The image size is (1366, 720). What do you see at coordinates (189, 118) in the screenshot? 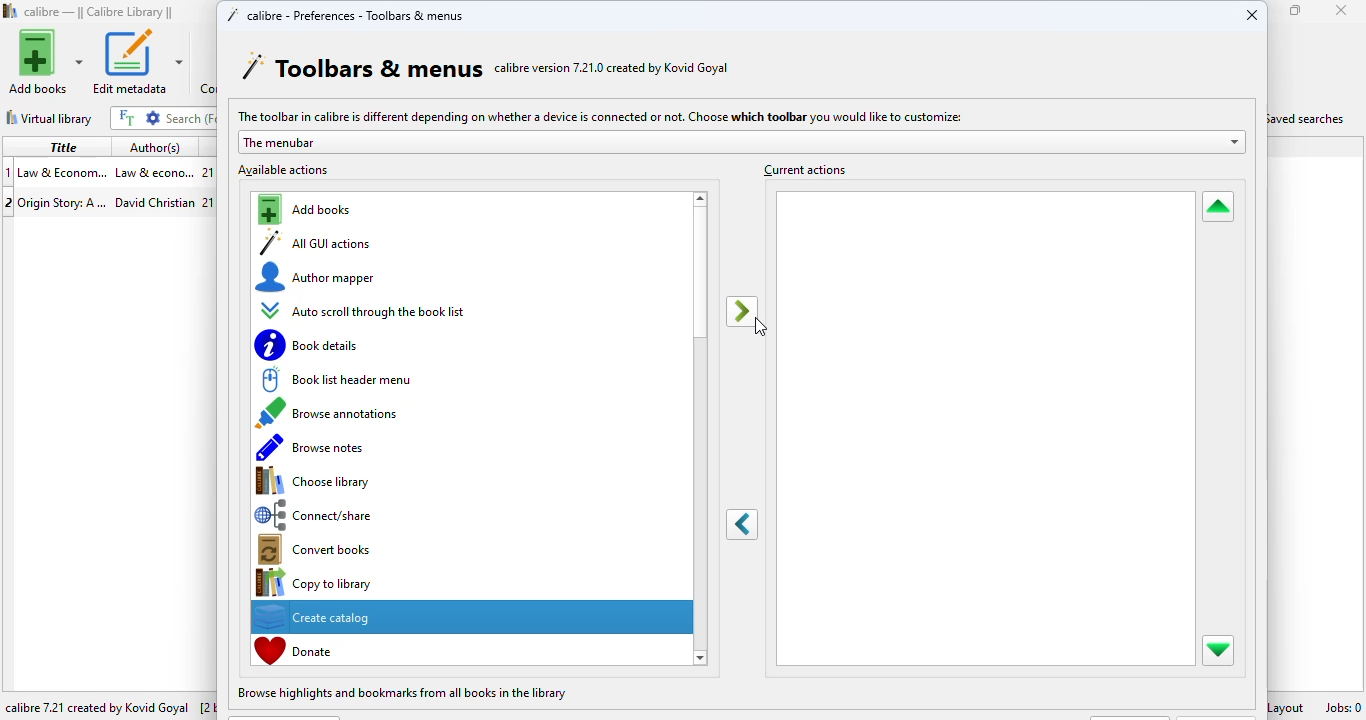
I see `search` at bounding box center [189, 118].